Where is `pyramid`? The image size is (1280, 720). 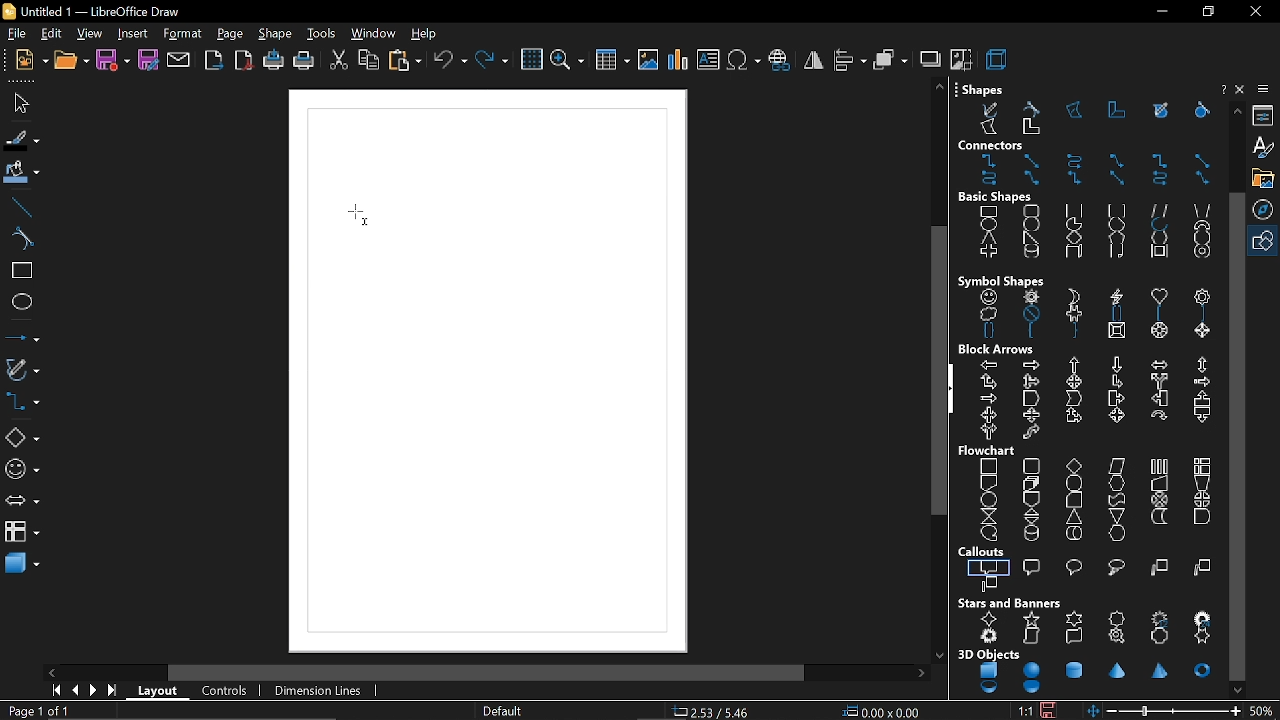
pyramid is located at coordinates (1162, 672).